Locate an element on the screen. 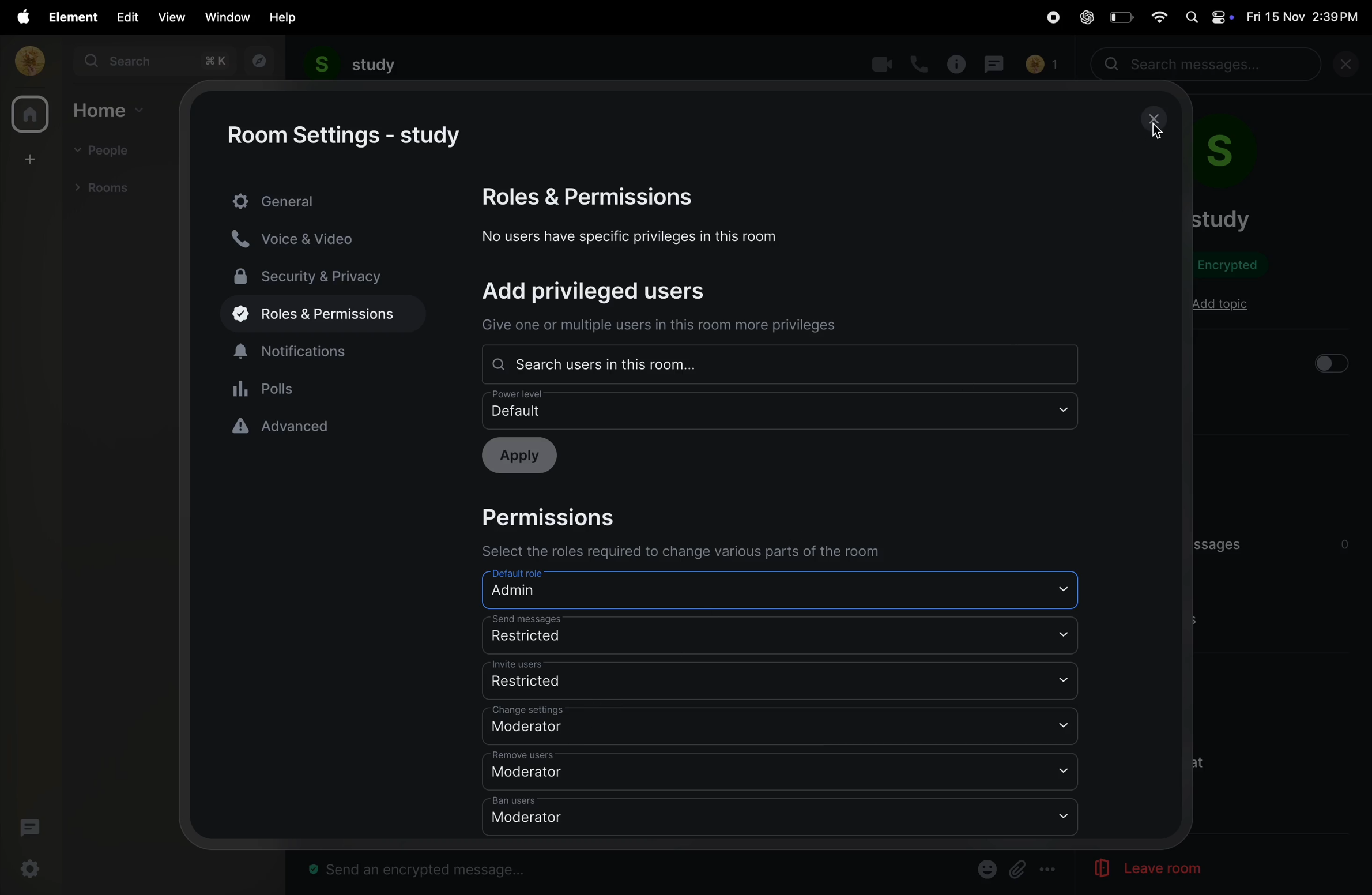 The width and height of the screenshot is (1372, 895). call is located at coordinates (921, 63).